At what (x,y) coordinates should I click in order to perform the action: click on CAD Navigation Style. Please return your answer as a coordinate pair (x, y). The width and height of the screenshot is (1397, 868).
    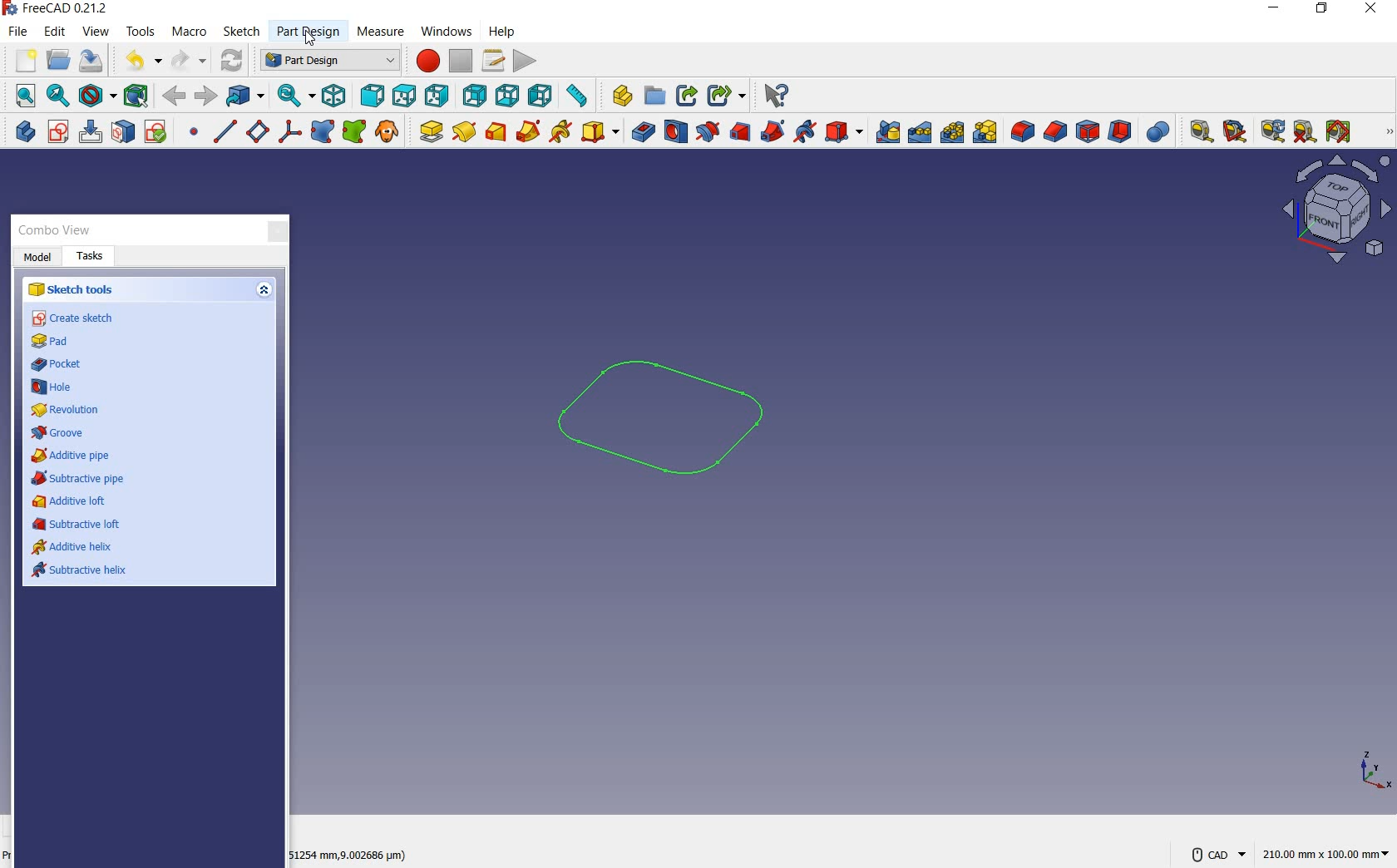
    Looking at the image, I should click on (1218, 851).